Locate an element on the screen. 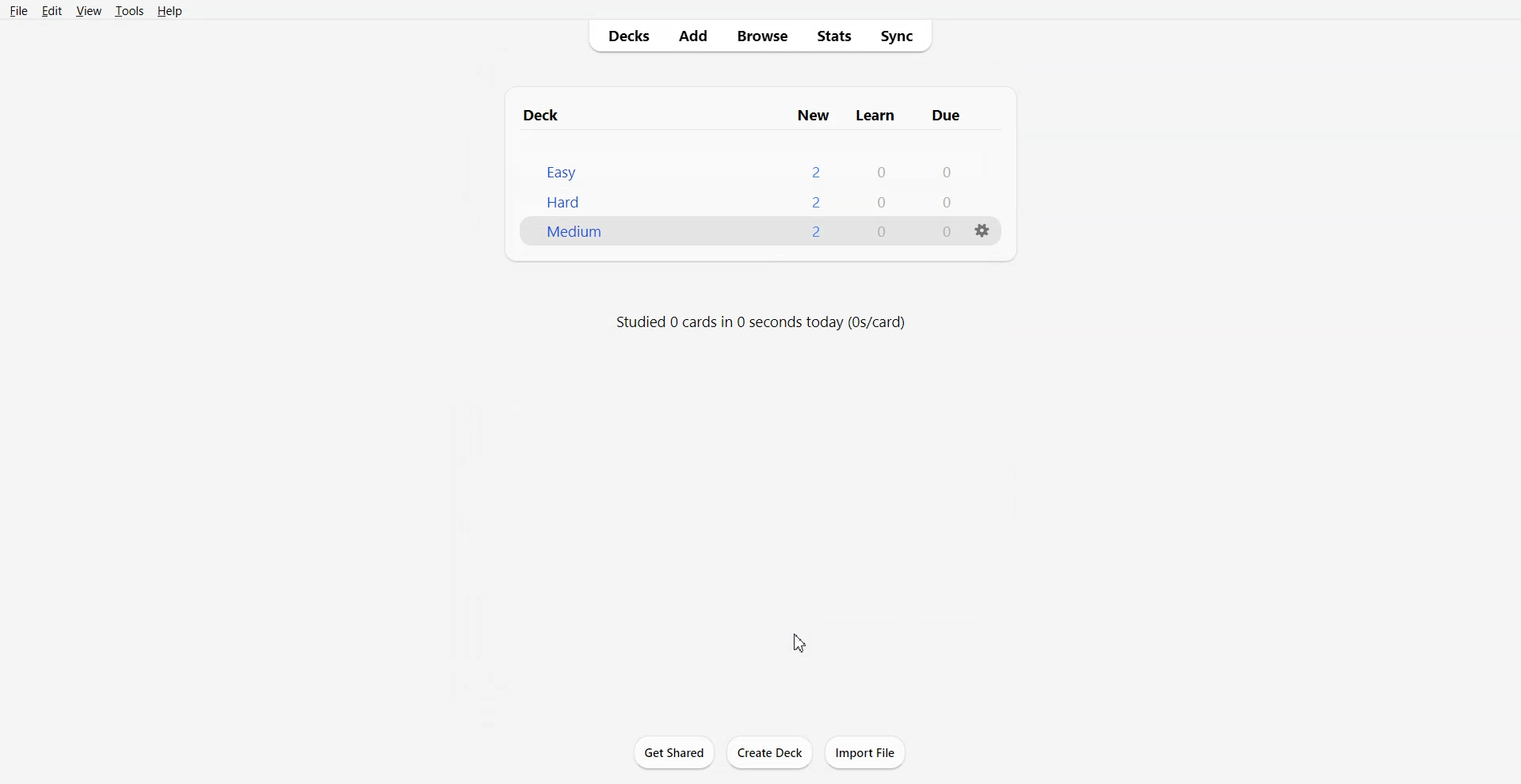 The image size is (1521, 784). File is located at coordinates (19, 10).